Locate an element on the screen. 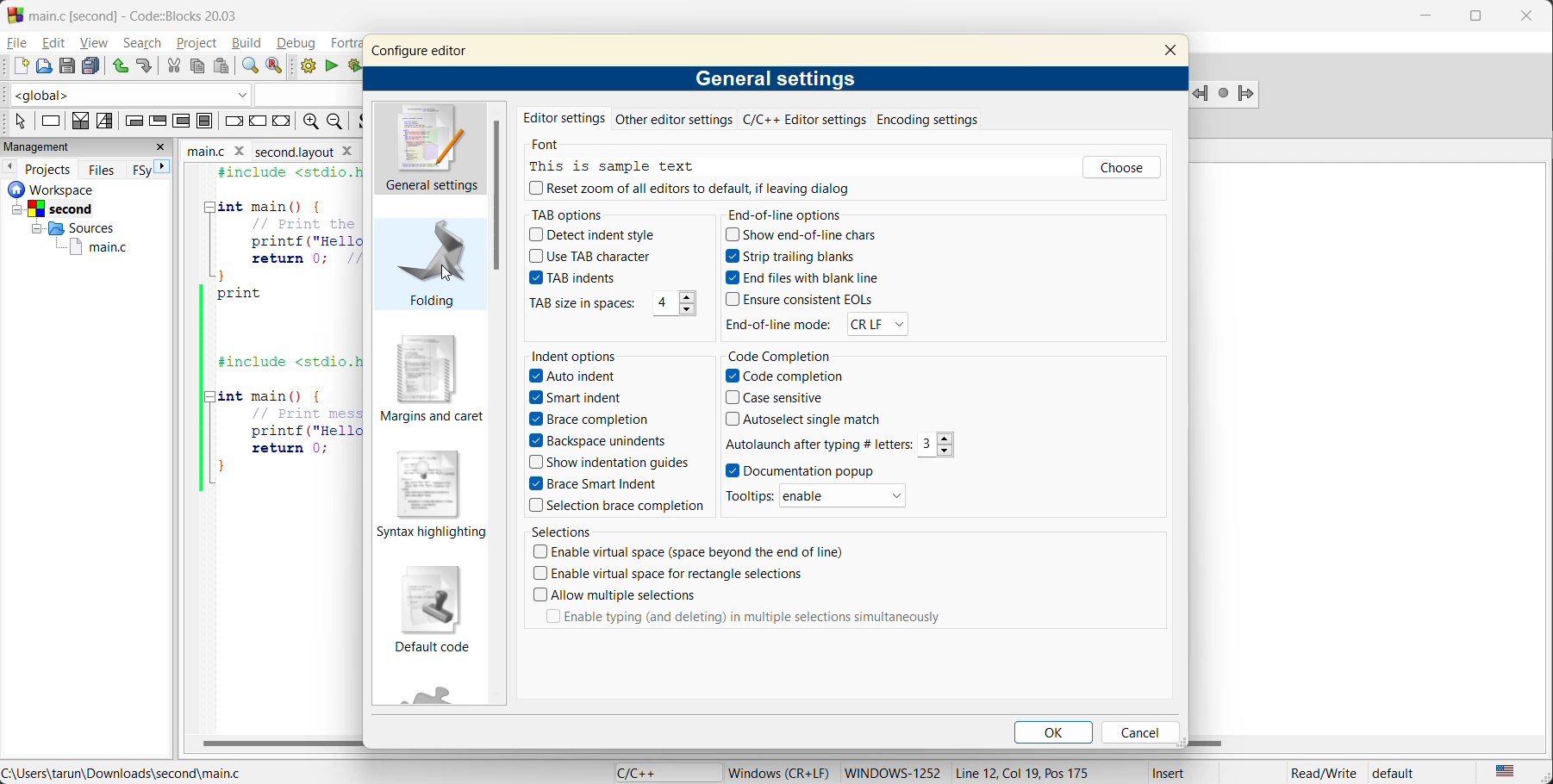 The height and width of the screenshot is (784, 1553). default is located at coordinates (1410, 774).